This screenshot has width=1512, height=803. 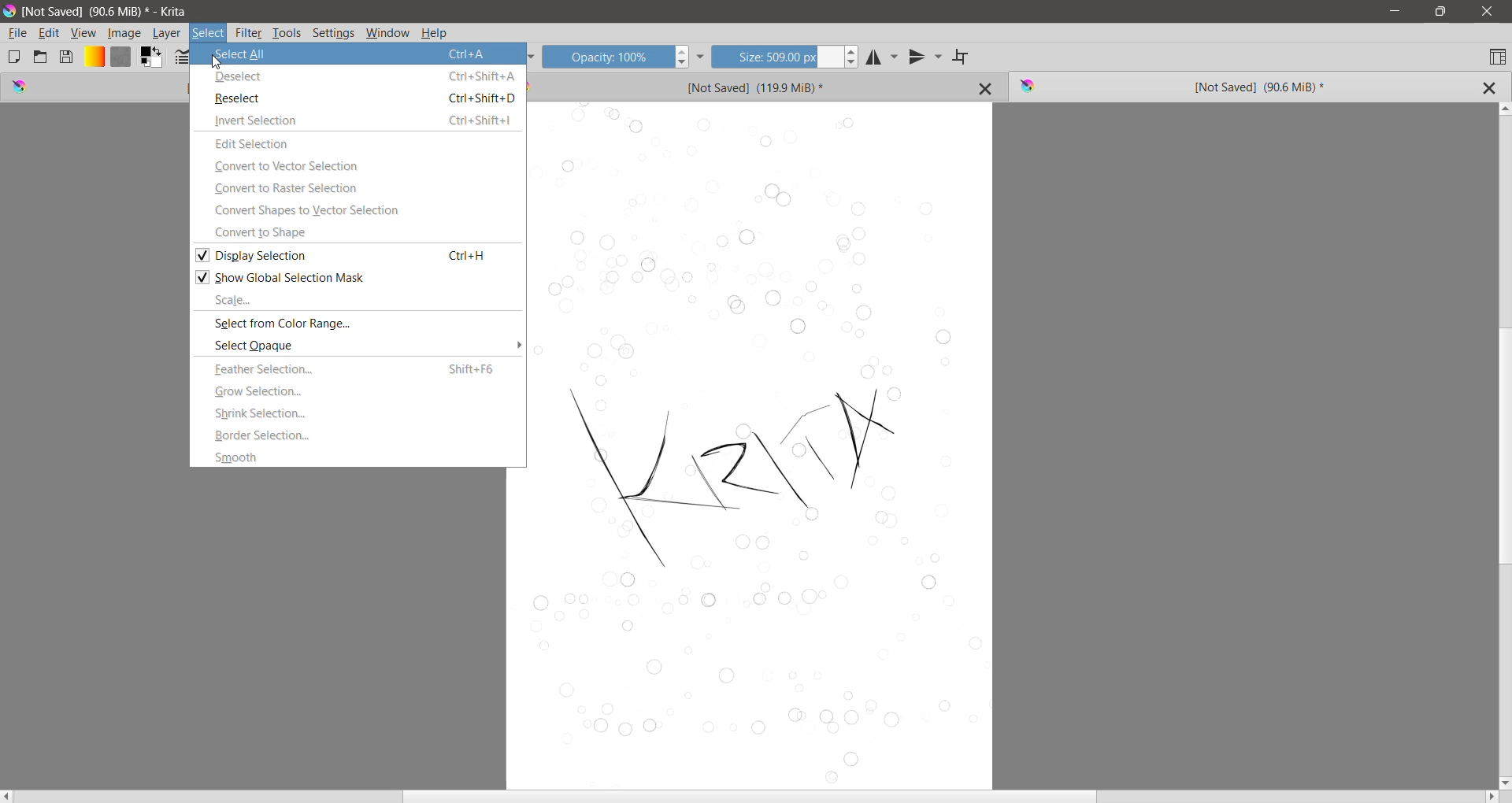 I want to click on Opacity input, so click(x=606, y=56).